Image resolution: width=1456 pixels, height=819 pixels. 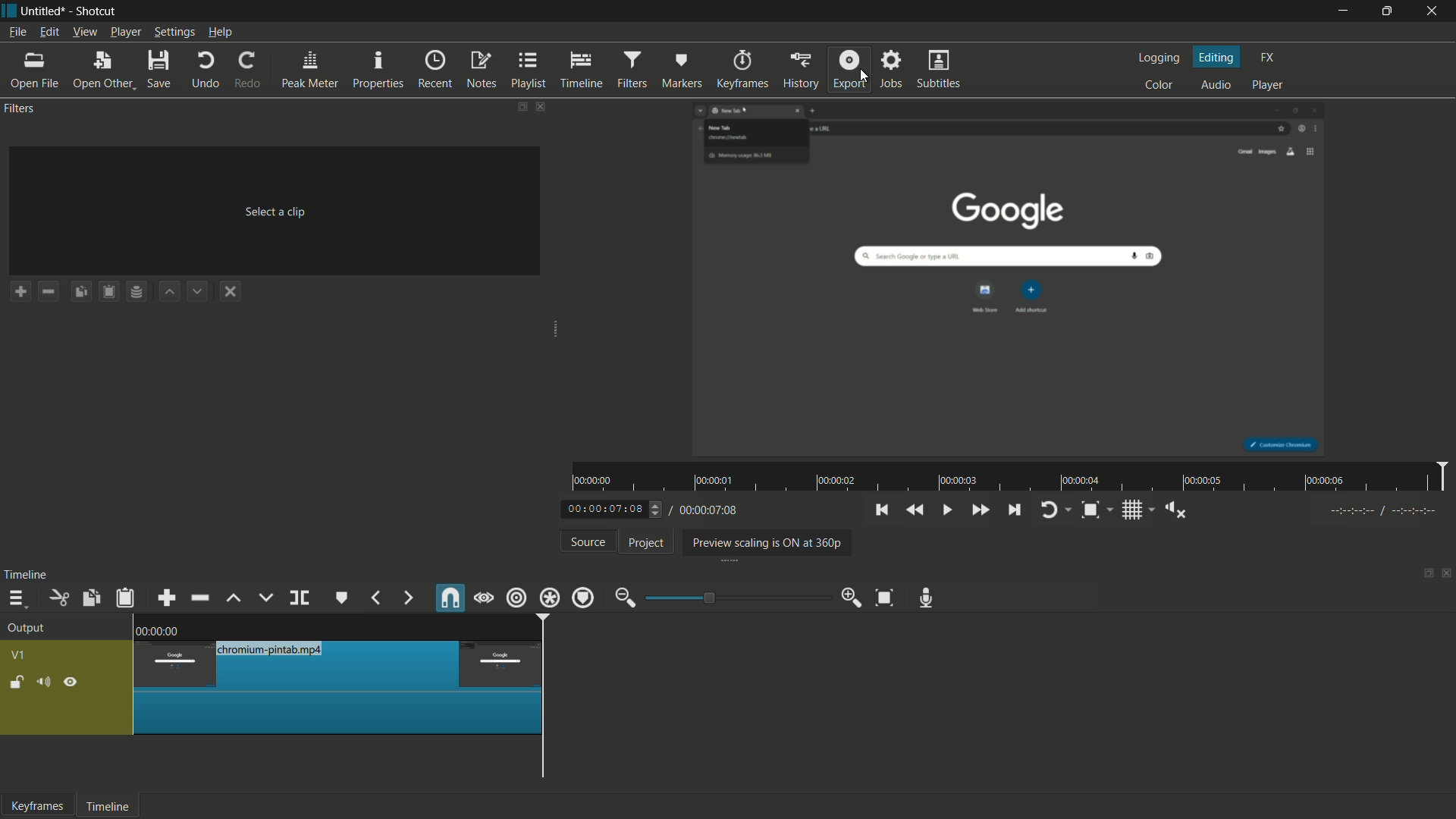 I want to click on time, so click(x=1013, y=477).